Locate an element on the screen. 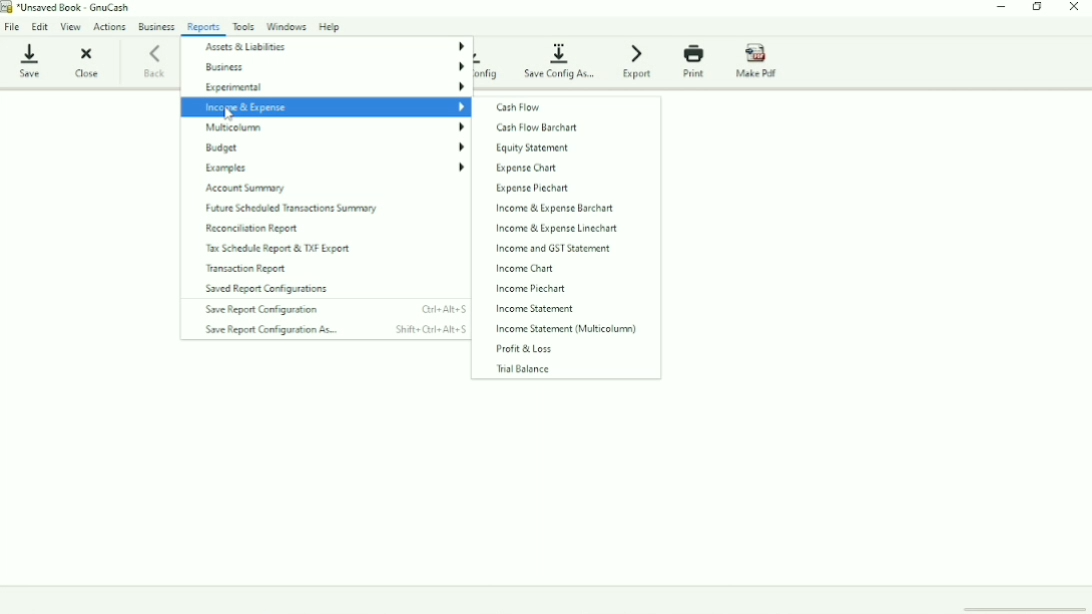 This screenshot has height=614, width=1092. Business is located at coordinates (332, 67).